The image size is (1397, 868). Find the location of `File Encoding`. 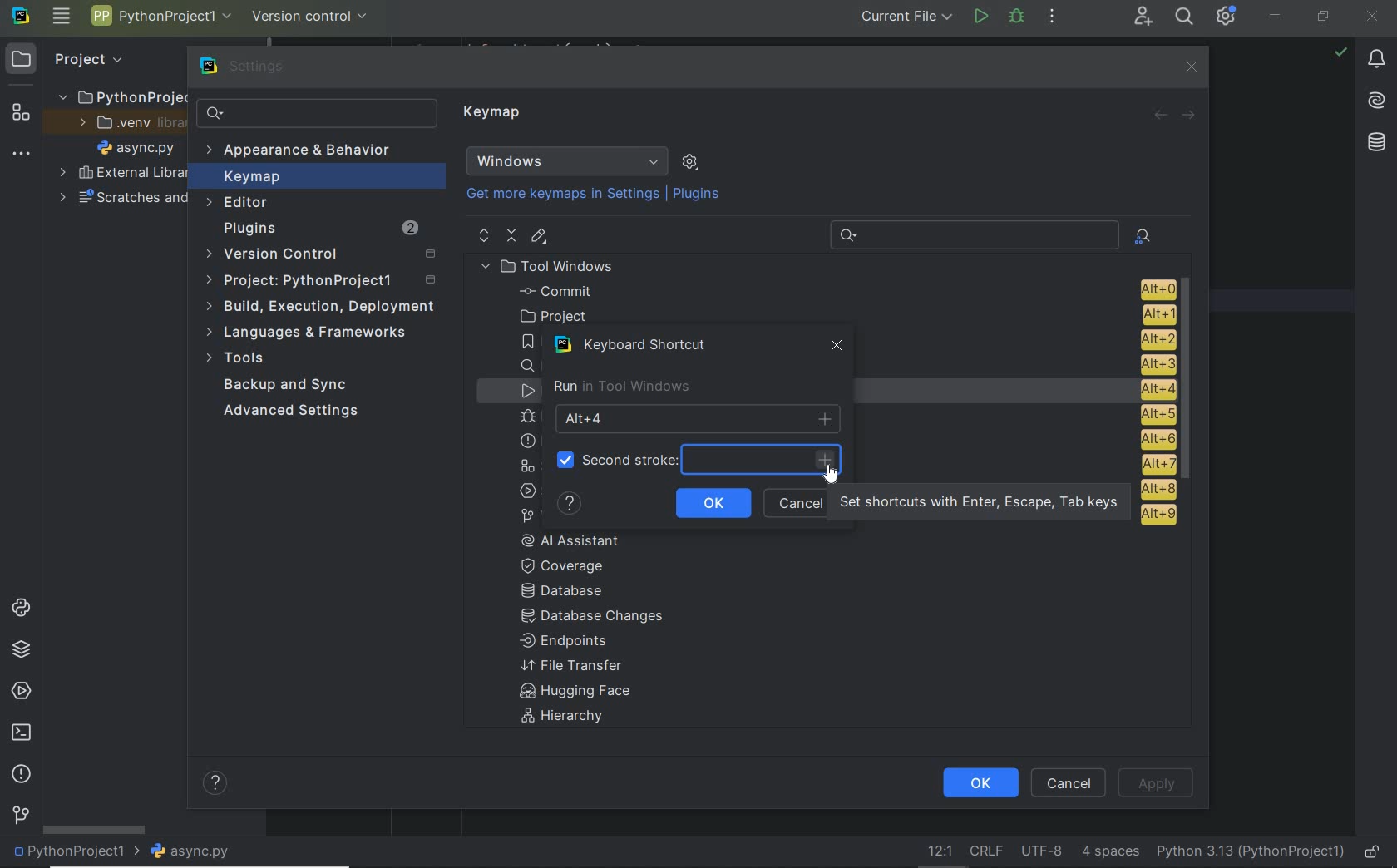

File Encoding is located at coordinates (1043, 852).